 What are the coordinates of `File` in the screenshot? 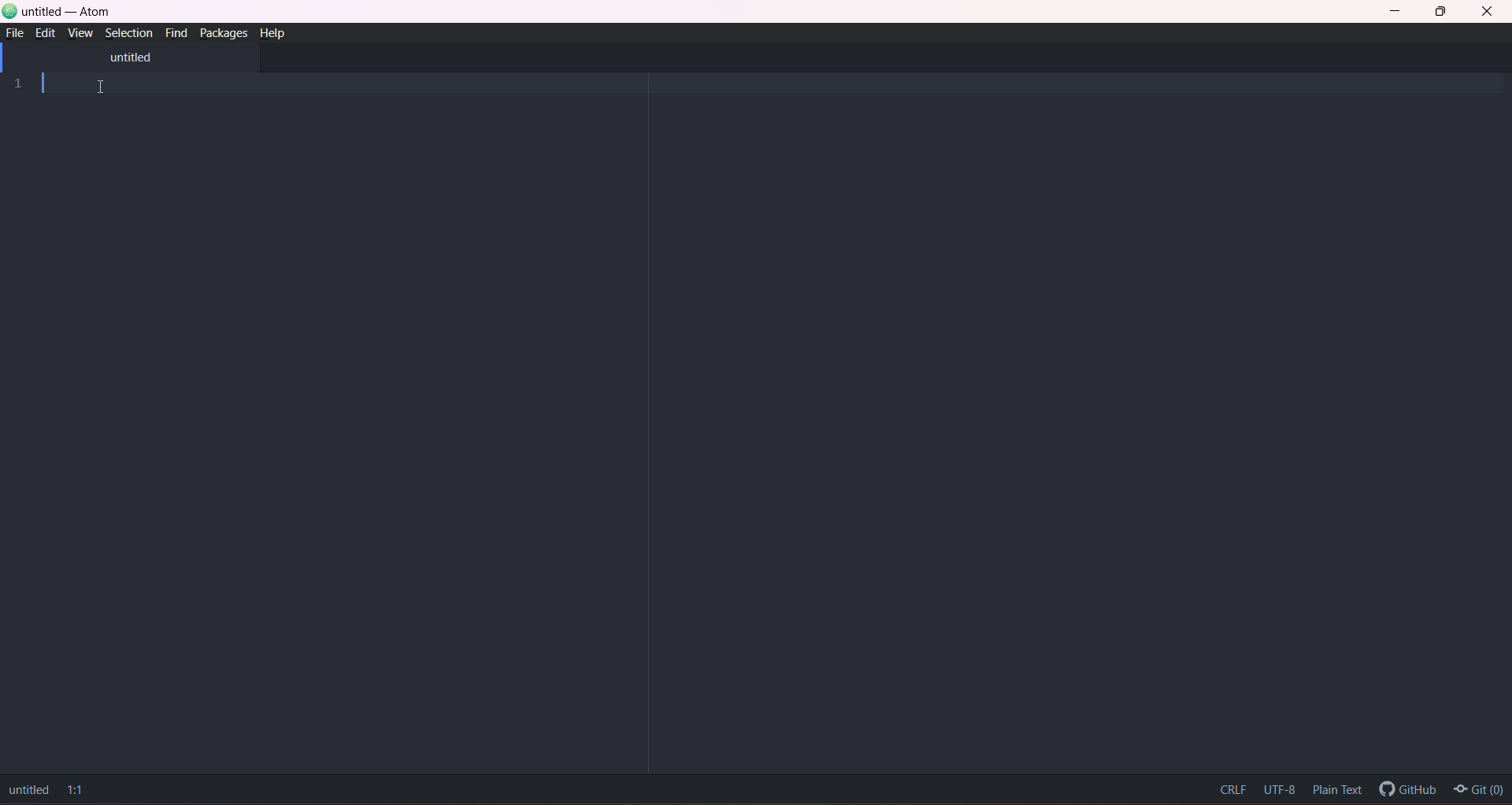 It's located at (15, 33).